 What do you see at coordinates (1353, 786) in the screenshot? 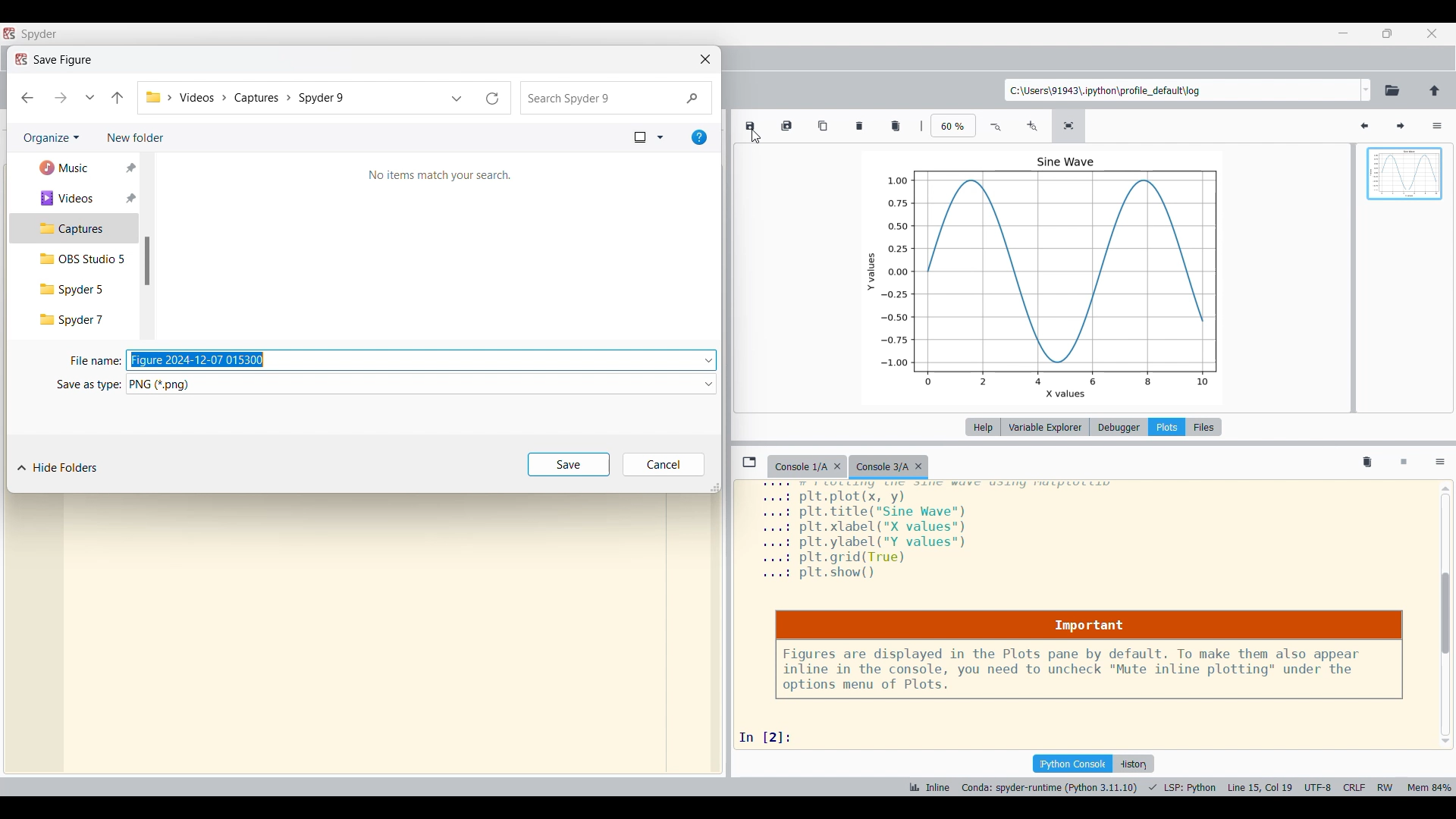
I see `CRLF` at bounding box center [1353, 786].